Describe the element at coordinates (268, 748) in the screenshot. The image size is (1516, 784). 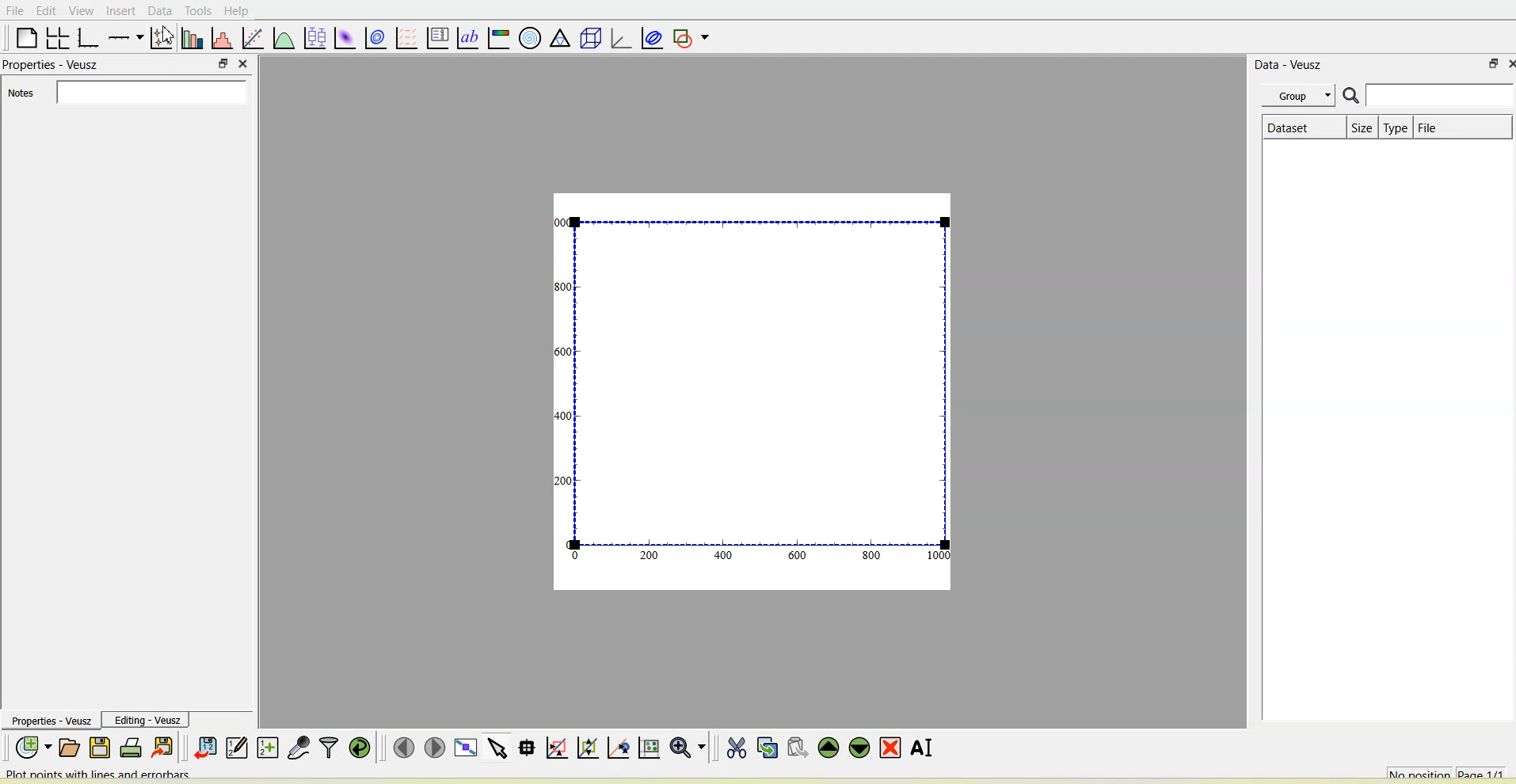
I see `Create new datasets using ranges, parametrically or as functions of existing datasets` at that location.